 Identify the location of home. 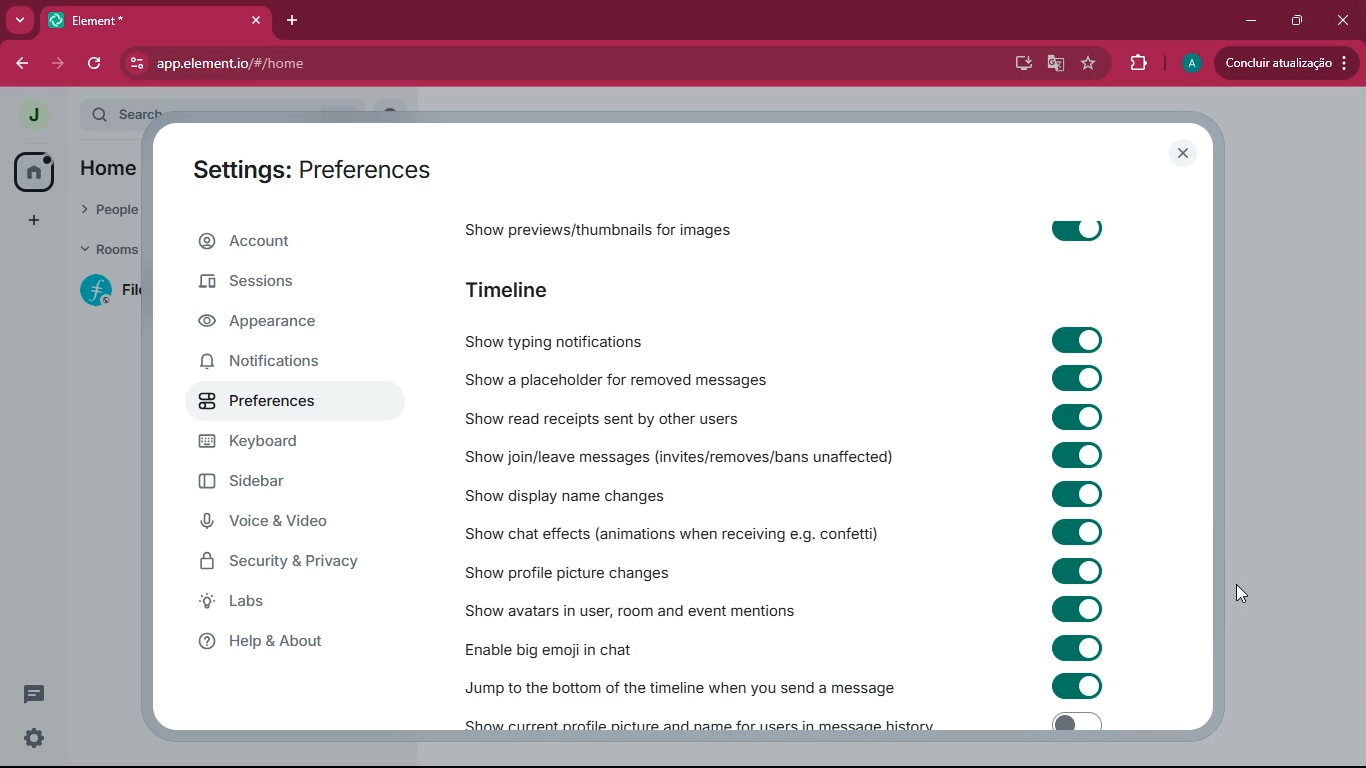
(27, 174).